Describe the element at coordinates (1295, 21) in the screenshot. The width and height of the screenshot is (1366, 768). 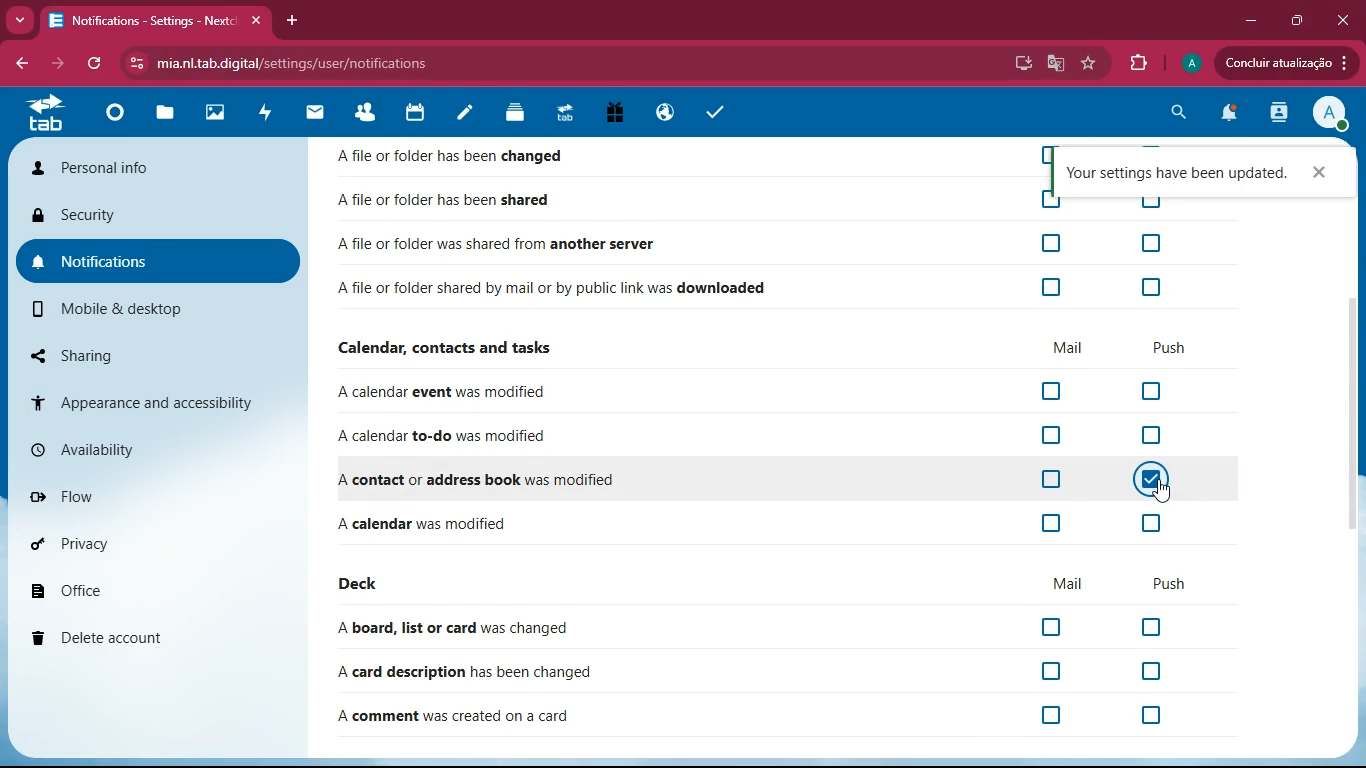
I see `maximize` at that location.